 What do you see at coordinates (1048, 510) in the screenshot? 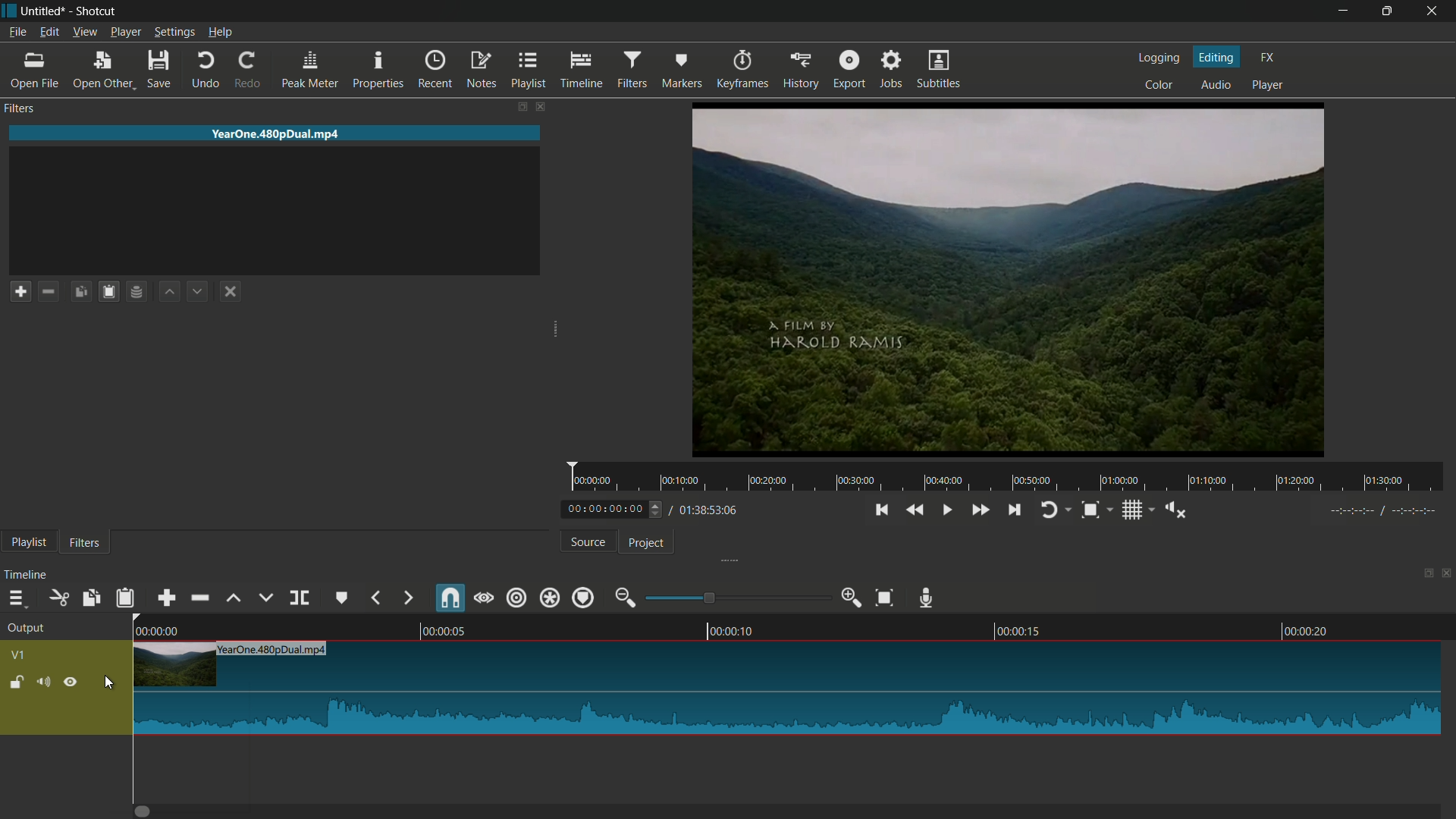
I see `toggle player looping` at bounding box center [1048, 510].